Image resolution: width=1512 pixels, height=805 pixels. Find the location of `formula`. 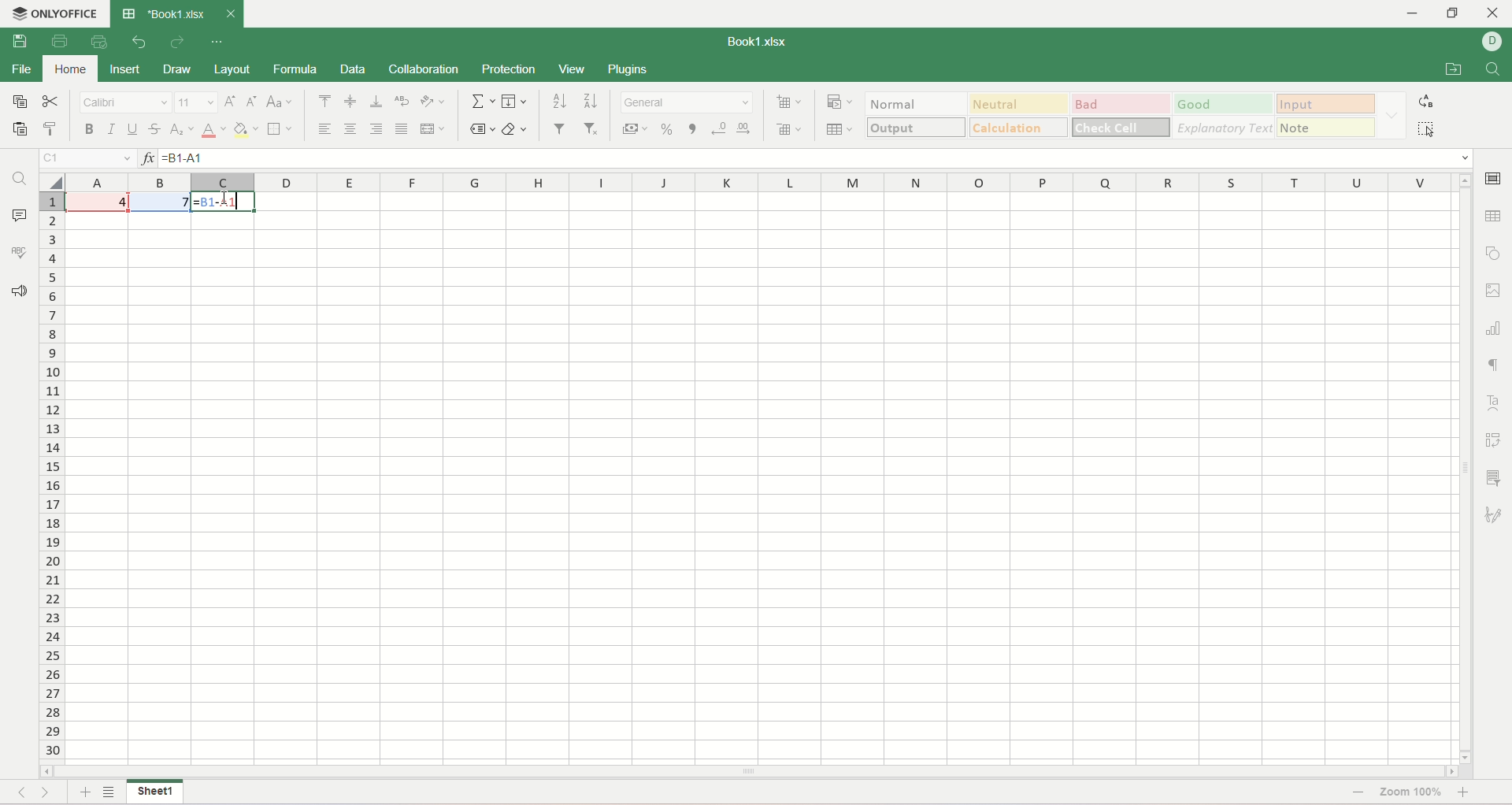

formula is located at coordinates (296, 69).